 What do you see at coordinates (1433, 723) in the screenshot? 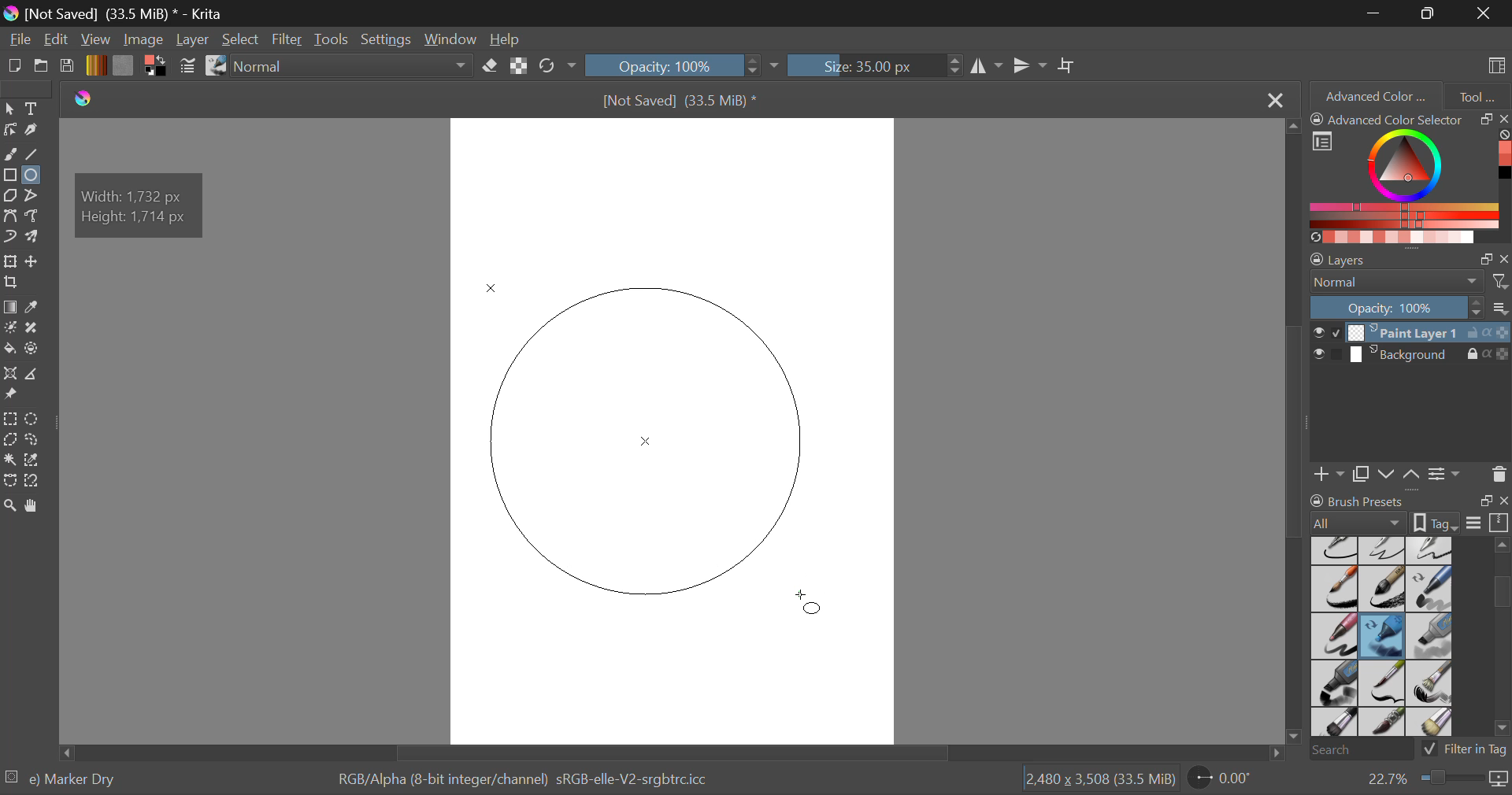
I see `Birstles-5 Plain` at bounding box center [1433, 723].